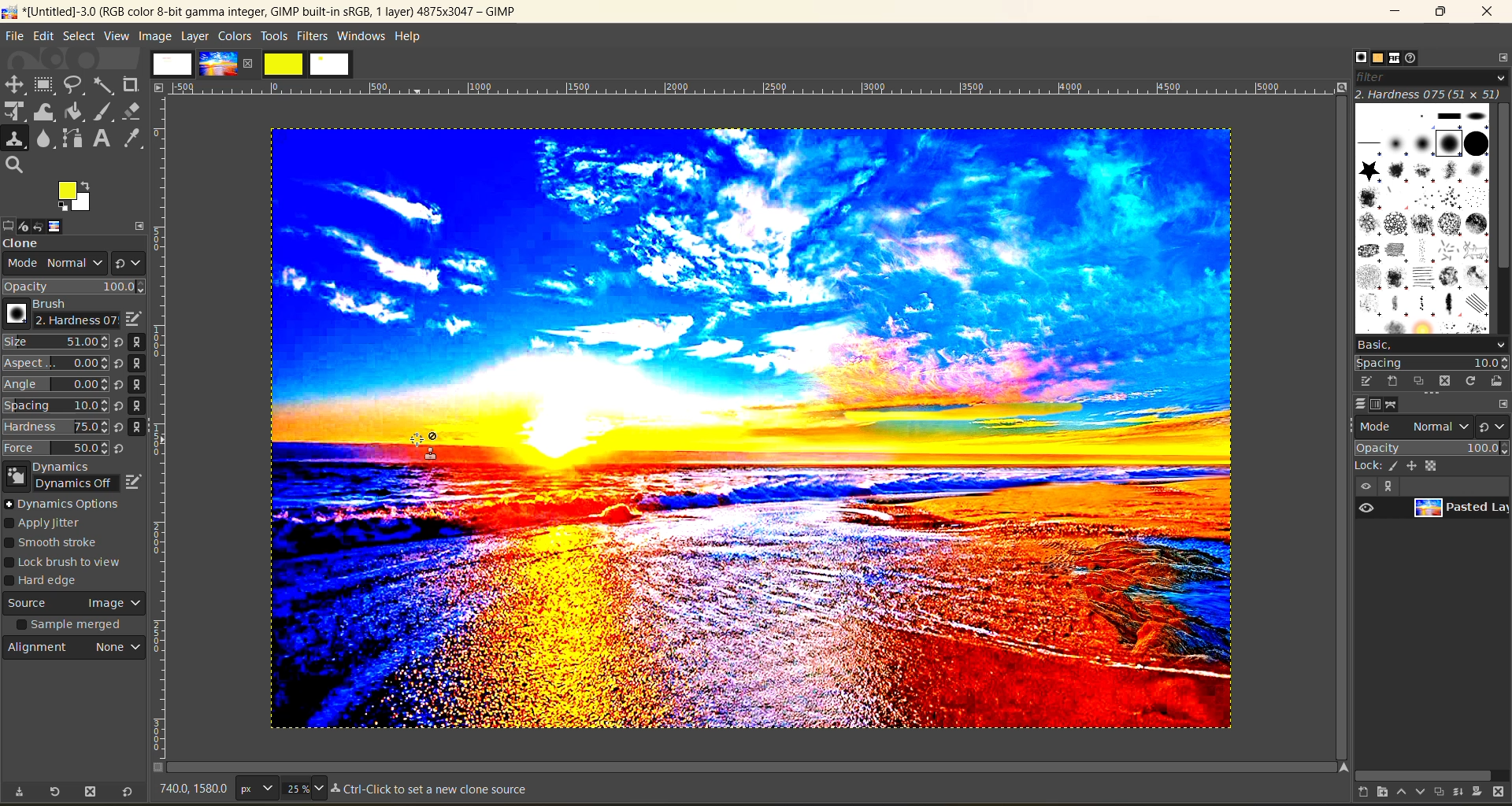 This screenshot has height=806, width=1512. What do you see at coordinates (191, 791) in the screenshot?
I see `740.0, 1580.0` at bounding box center [191, 791].